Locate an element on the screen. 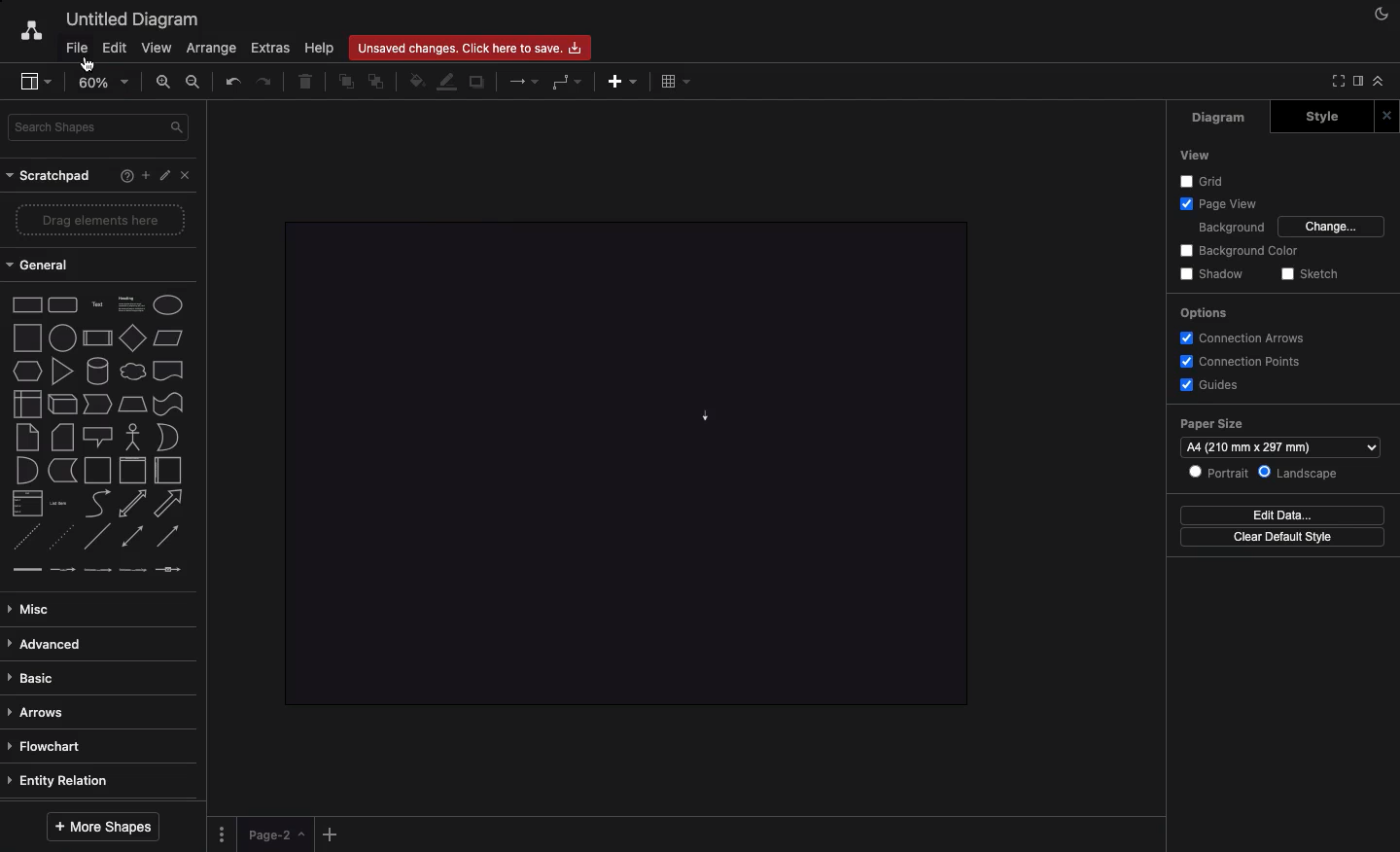  Edit data is located at coordinates (1281, 515).